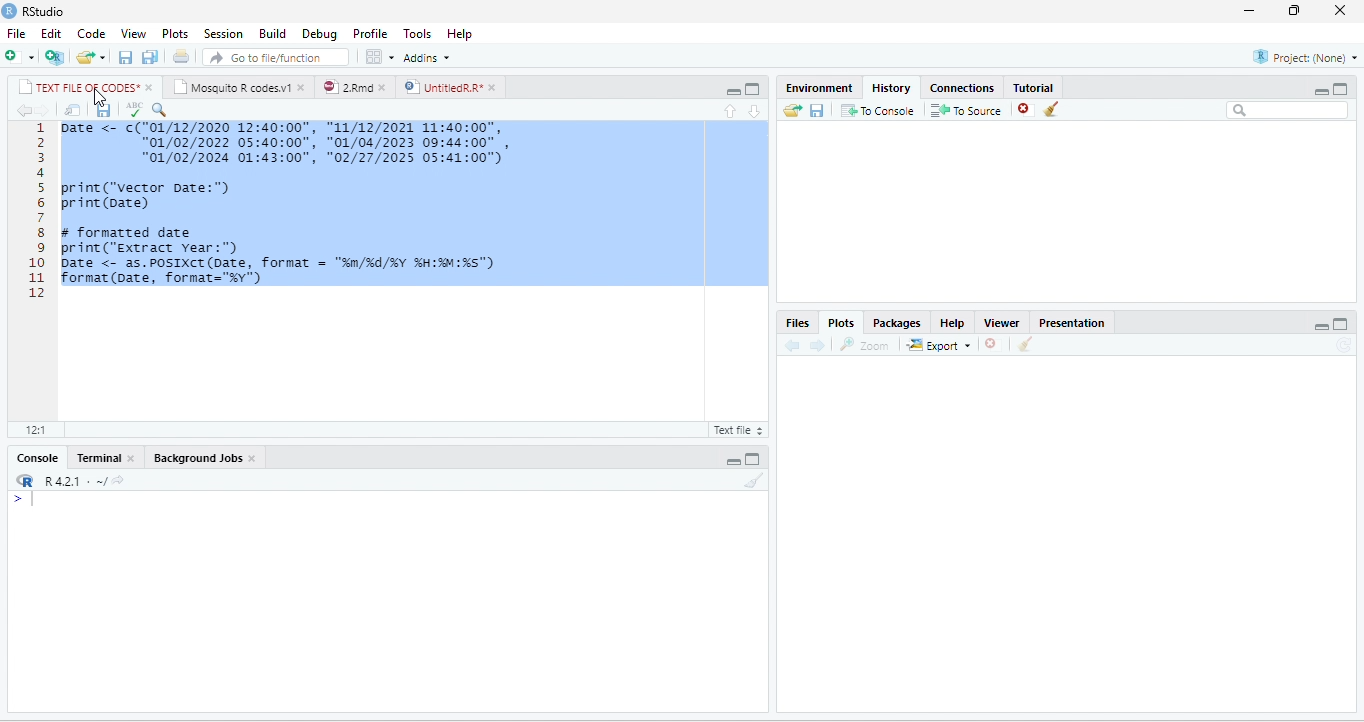  I want to click on clear, so click(1052, 109).